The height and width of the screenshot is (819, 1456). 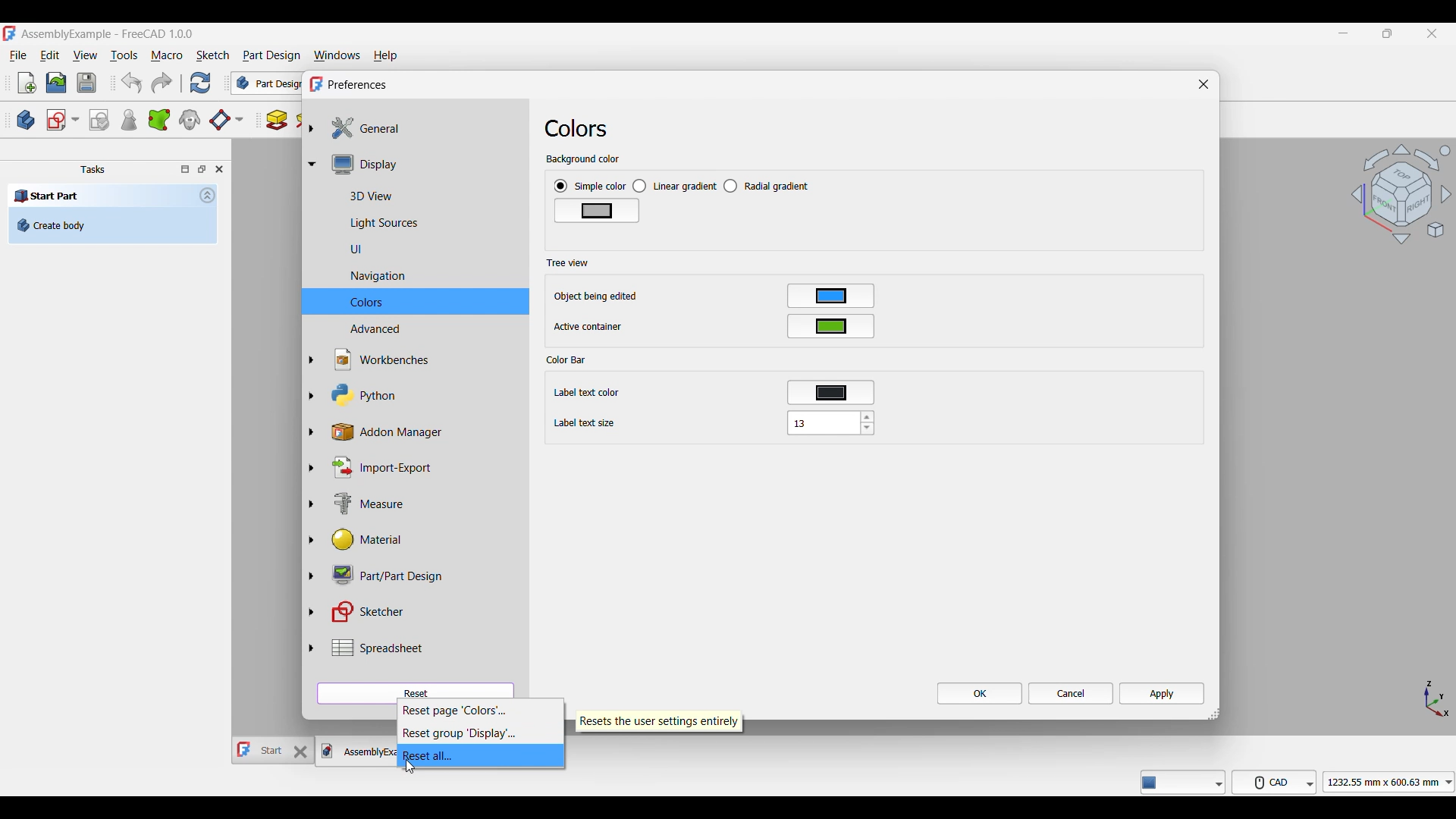 What do you see at coordinates (202, 169) in the screenshot?
I see `Toggle floating window` at bounding box center [202, 169].